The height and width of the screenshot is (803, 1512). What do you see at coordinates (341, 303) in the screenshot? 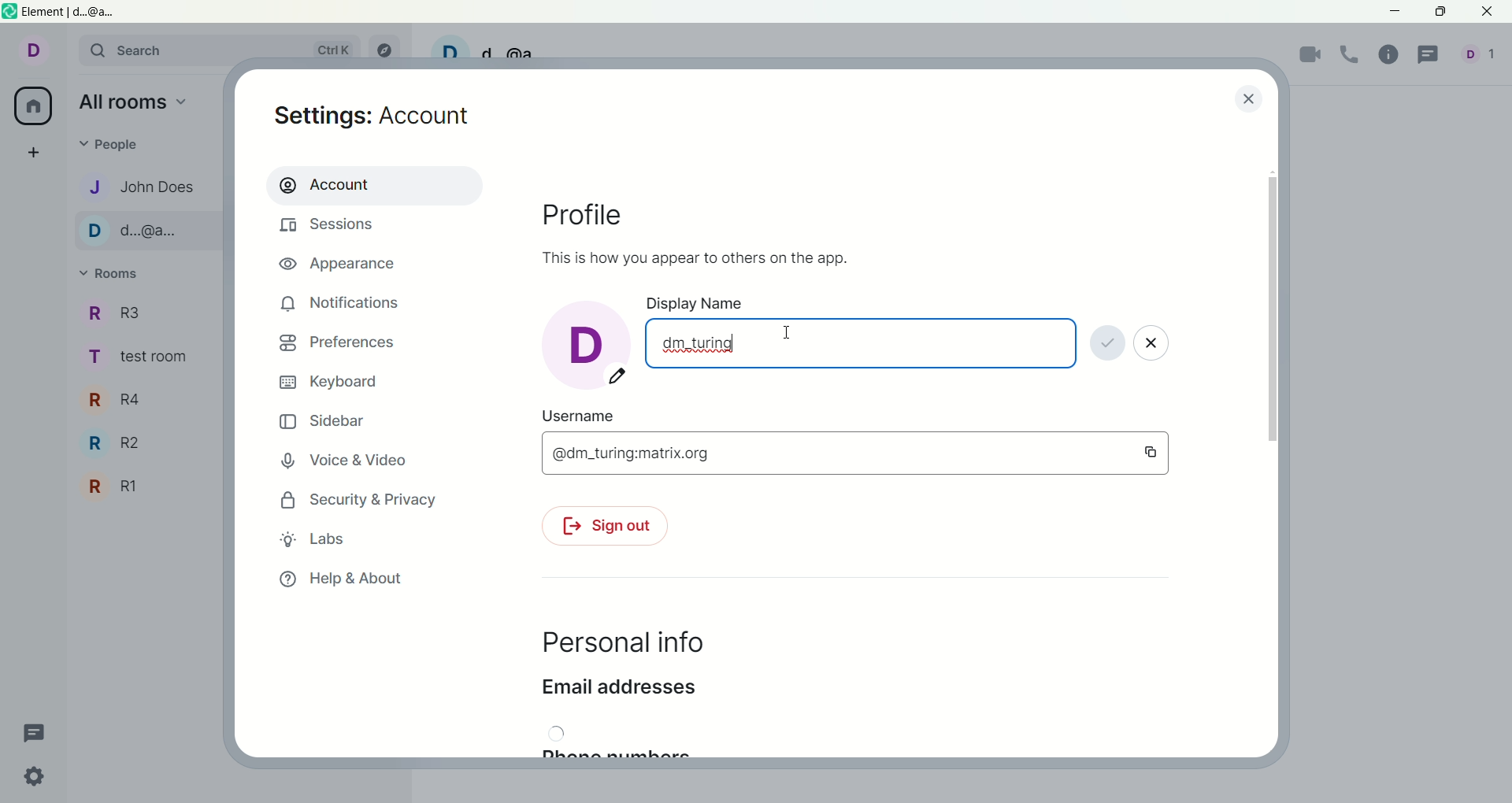
I see `notifications` at bounding box center [341, 303].